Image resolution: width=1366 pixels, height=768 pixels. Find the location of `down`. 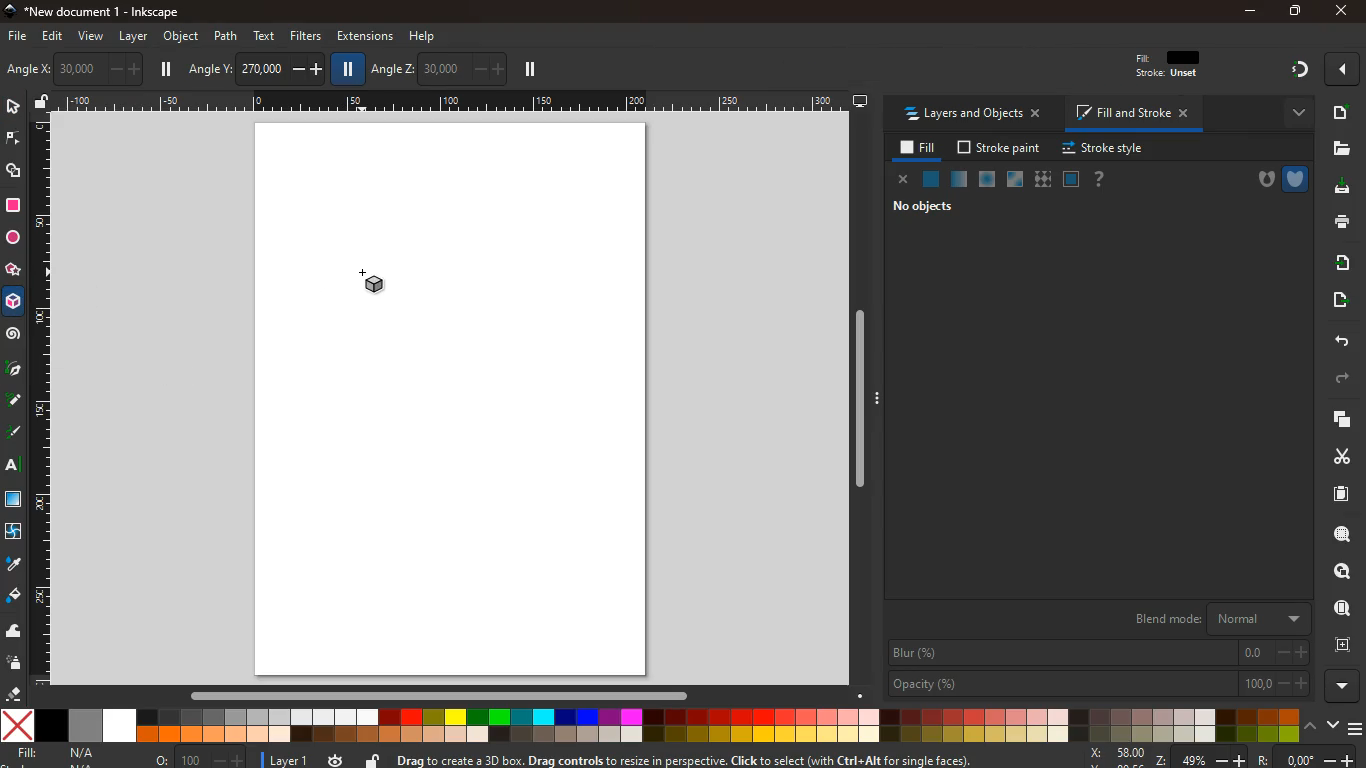

down is located at coordinates (1332, 726).